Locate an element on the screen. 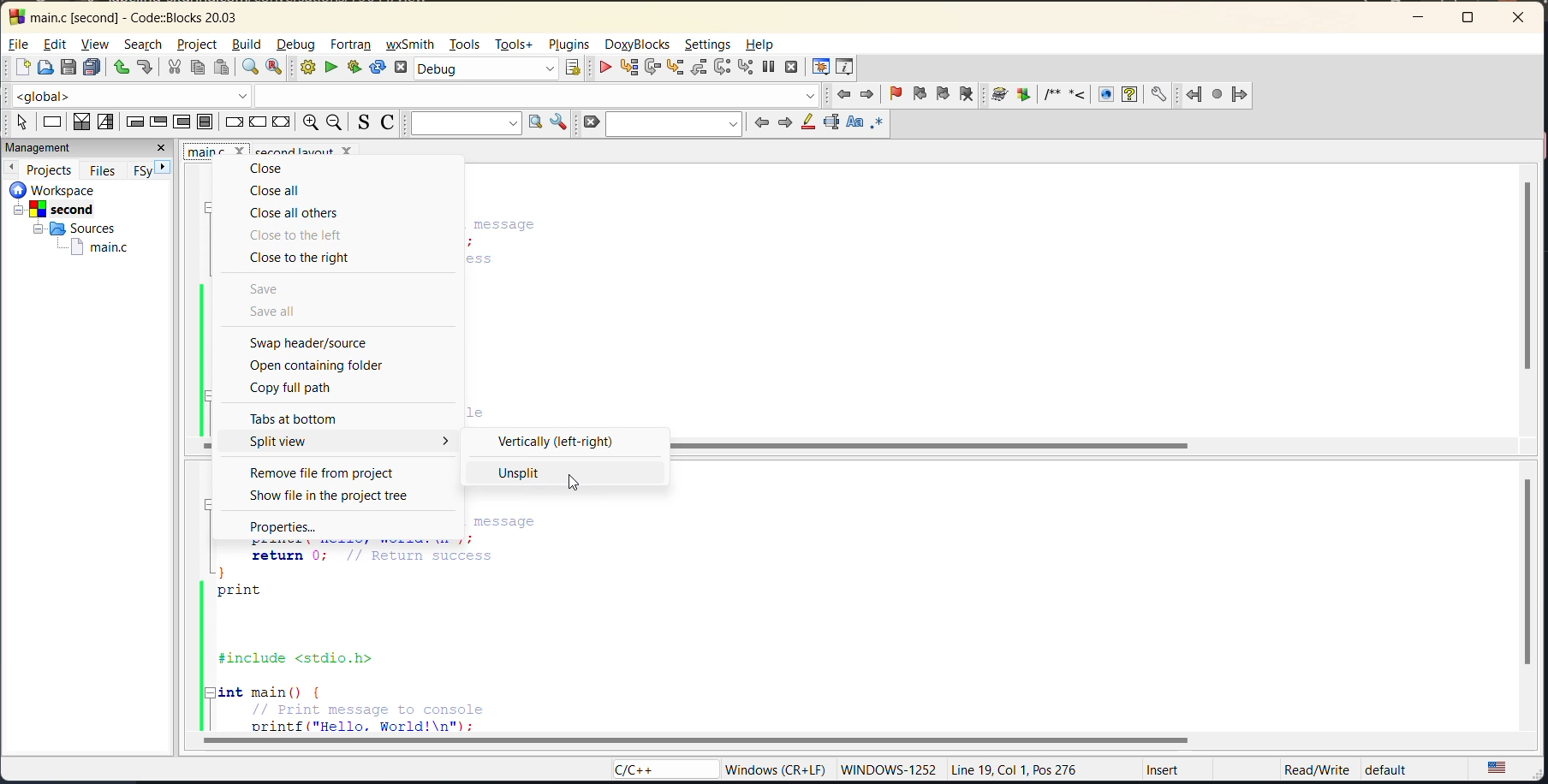  clear bookmark is located at coordinates (966, 95).